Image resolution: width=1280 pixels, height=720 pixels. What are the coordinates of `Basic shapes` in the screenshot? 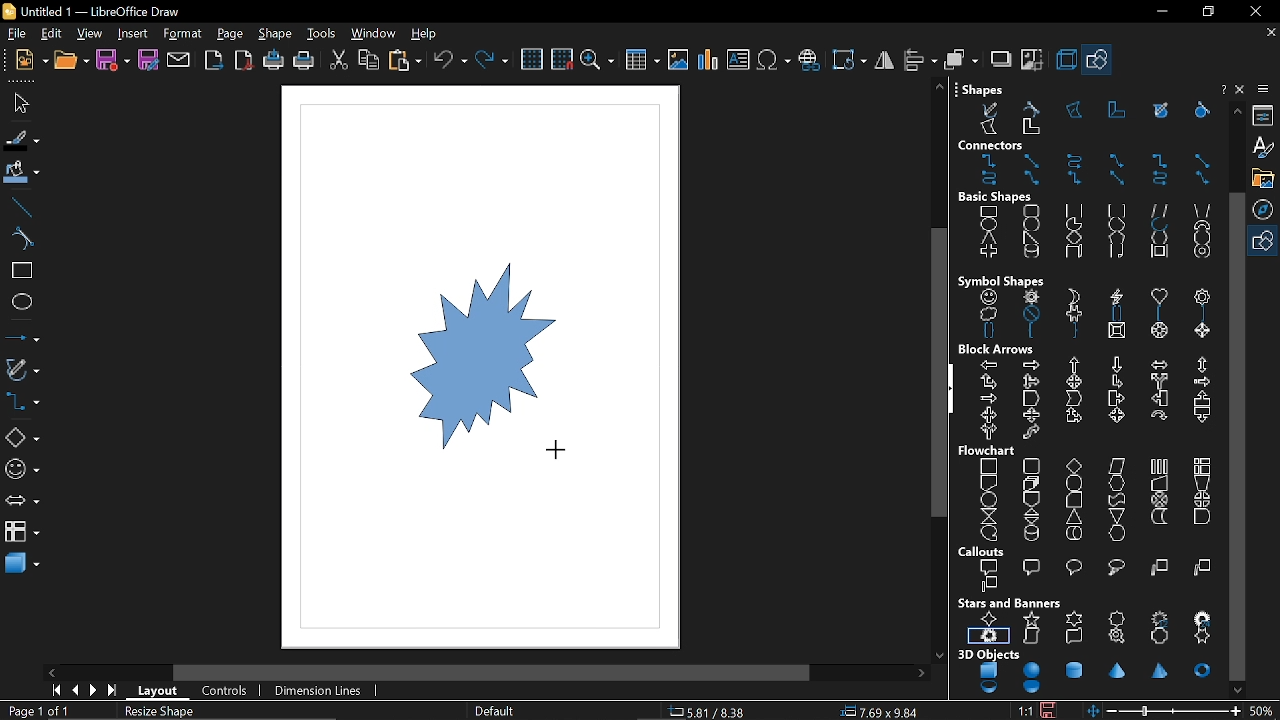 It's located at (22, 439).